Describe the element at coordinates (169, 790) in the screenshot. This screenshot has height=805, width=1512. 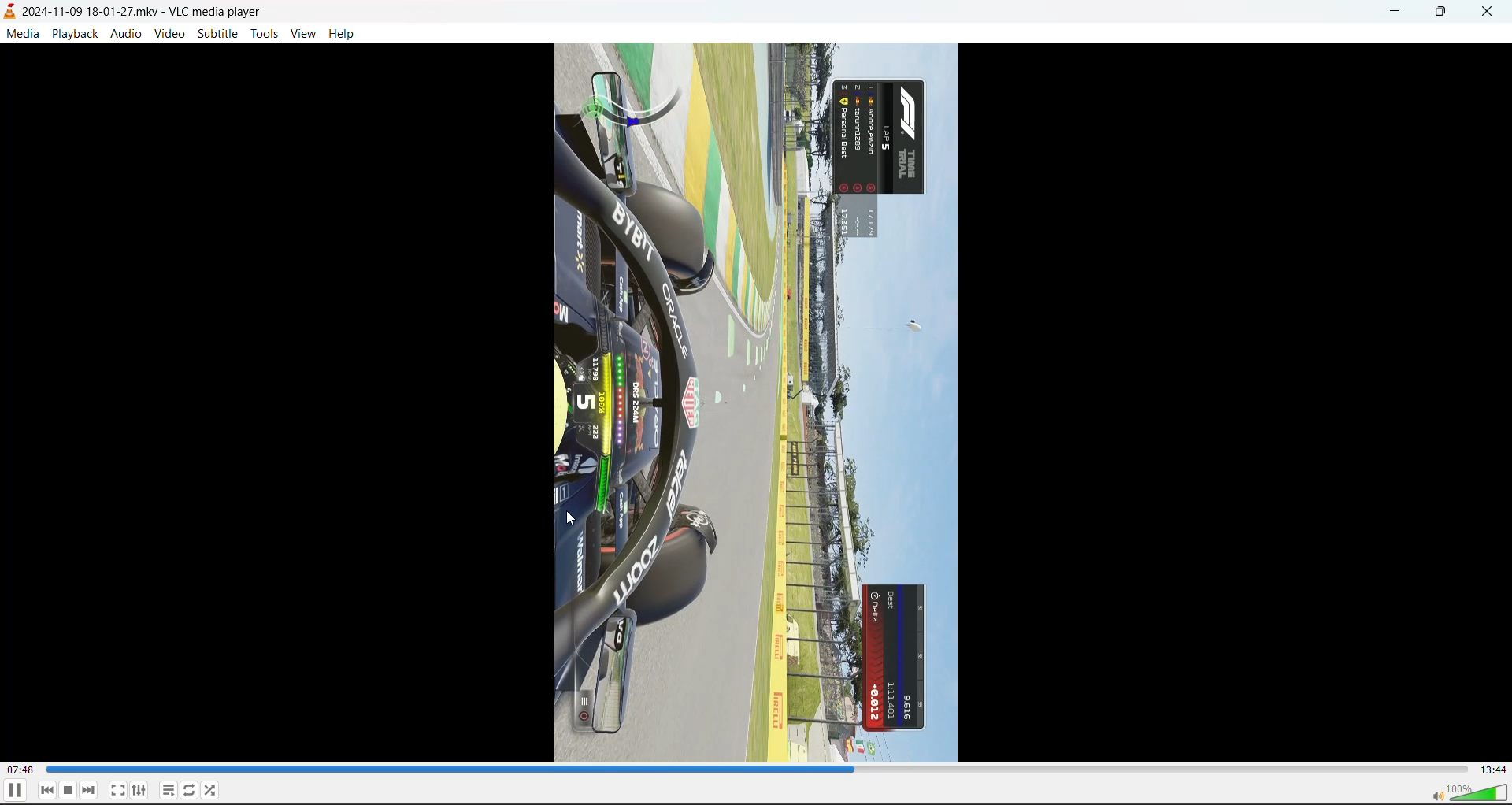
I see `playlist` at that location.